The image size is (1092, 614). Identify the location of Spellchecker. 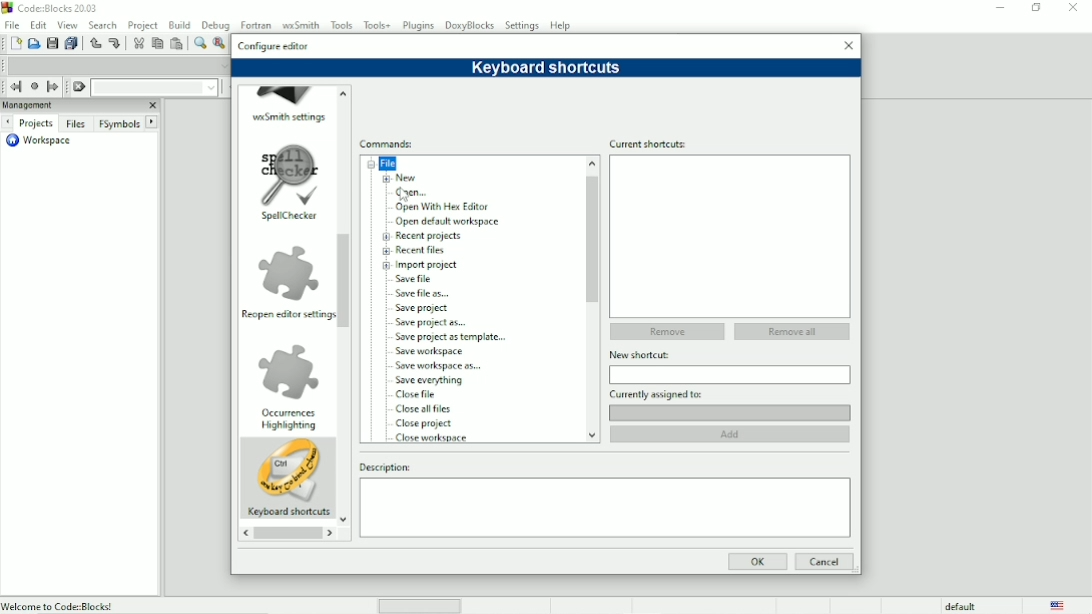
(286, 218).